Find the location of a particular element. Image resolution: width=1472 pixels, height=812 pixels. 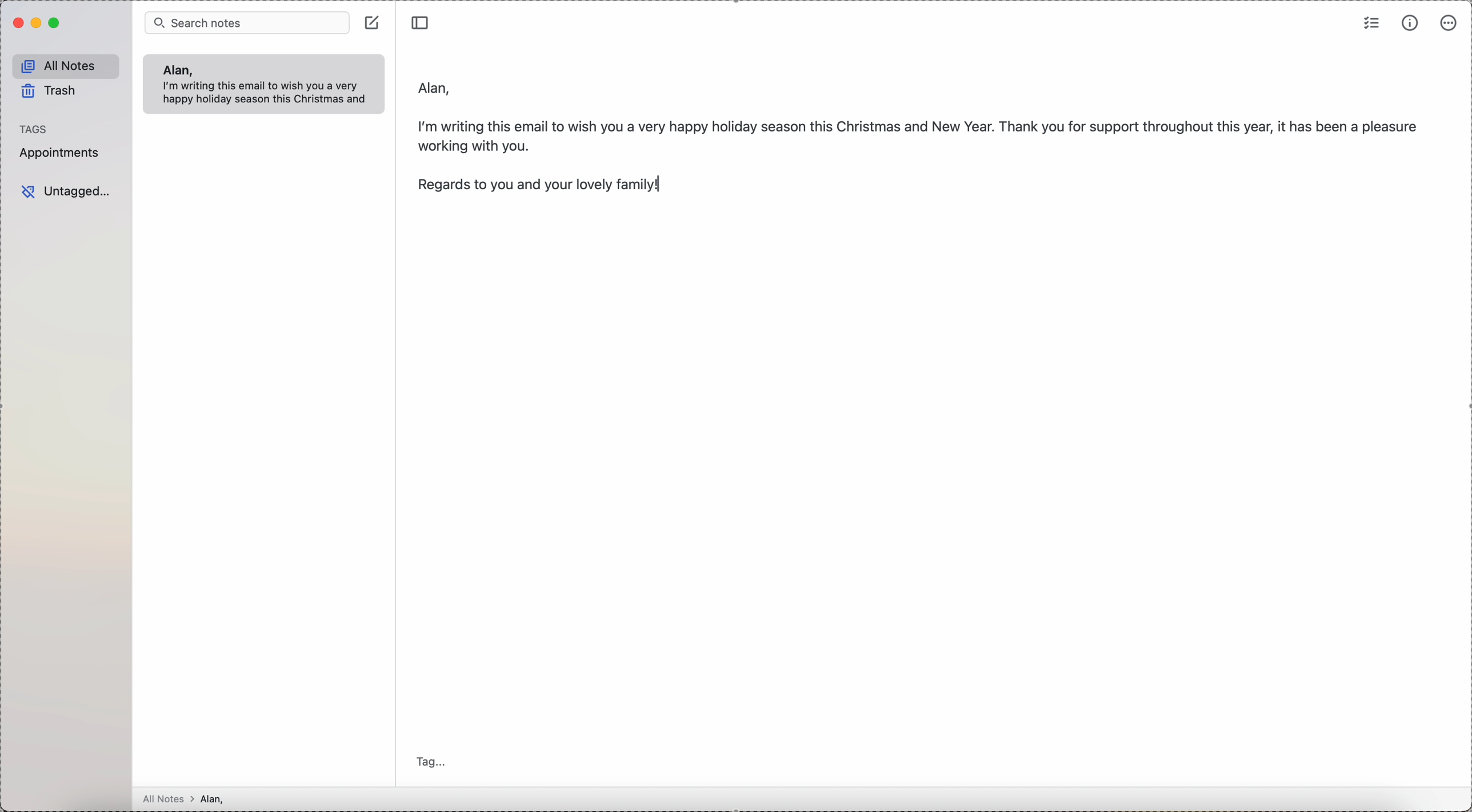

tag is located at coordinates (434, 763).